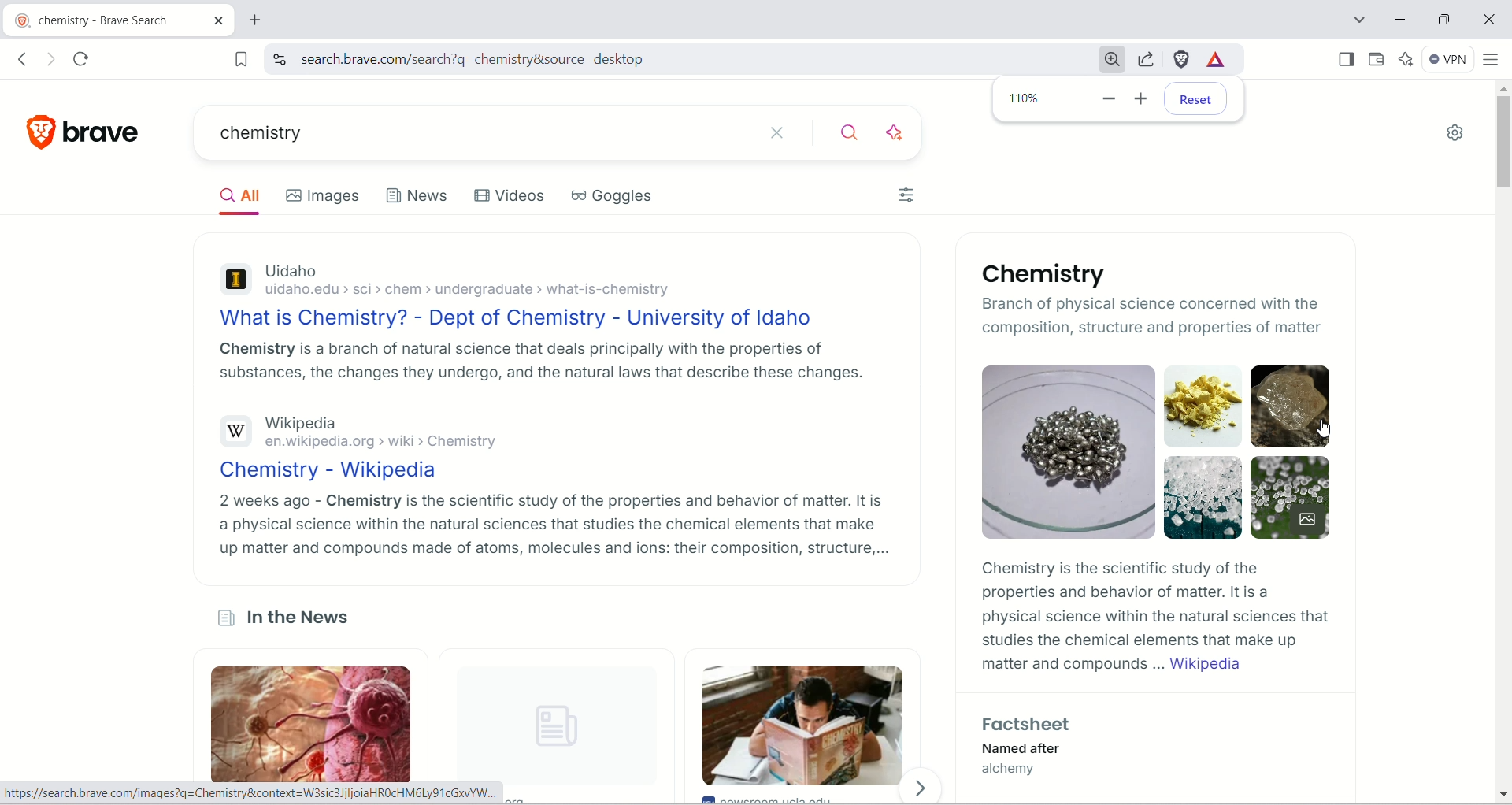 This screenshot has height=805, width=1512. Describe the element at coordinates (1324, 427) in the screenshot. I see `cursor` at that location.